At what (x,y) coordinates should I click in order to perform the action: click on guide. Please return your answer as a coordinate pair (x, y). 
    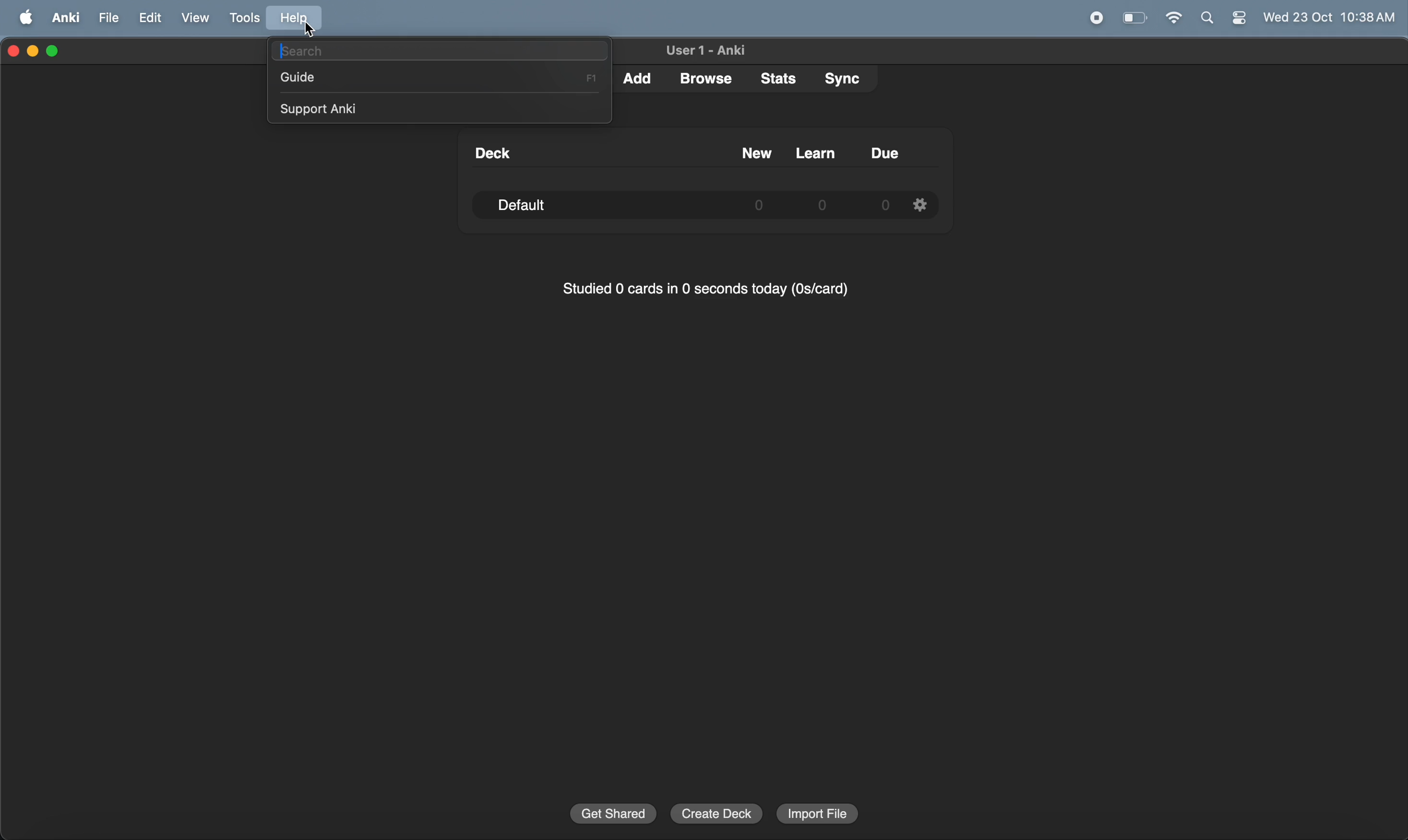
    Looking at the image, I should click on (443, 77).